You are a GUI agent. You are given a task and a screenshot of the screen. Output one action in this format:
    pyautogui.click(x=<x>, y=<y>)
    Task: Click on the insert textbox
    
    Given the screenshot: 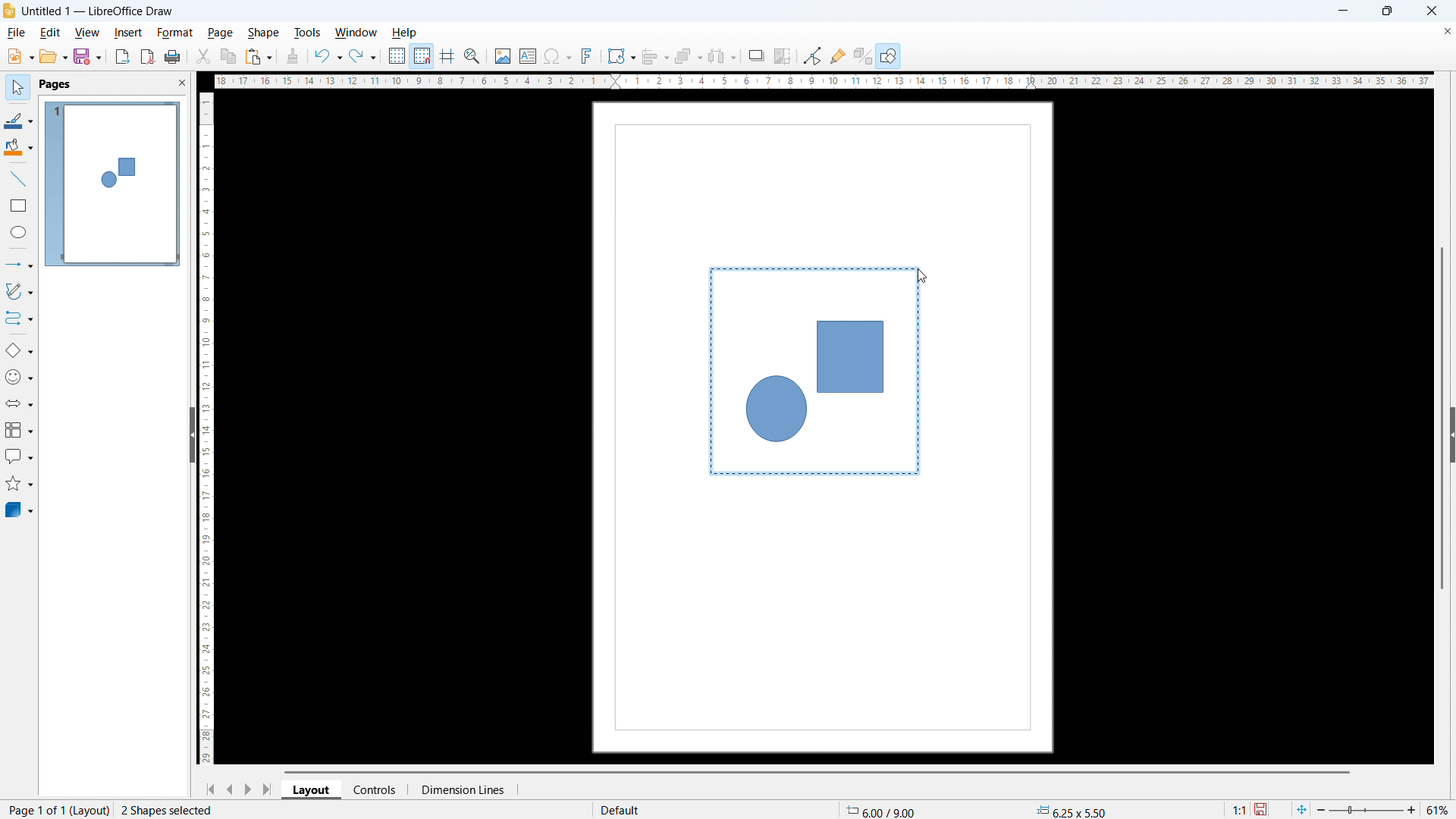 What is the action you would take?
    pyautogui.click(x=528, y=55)
    